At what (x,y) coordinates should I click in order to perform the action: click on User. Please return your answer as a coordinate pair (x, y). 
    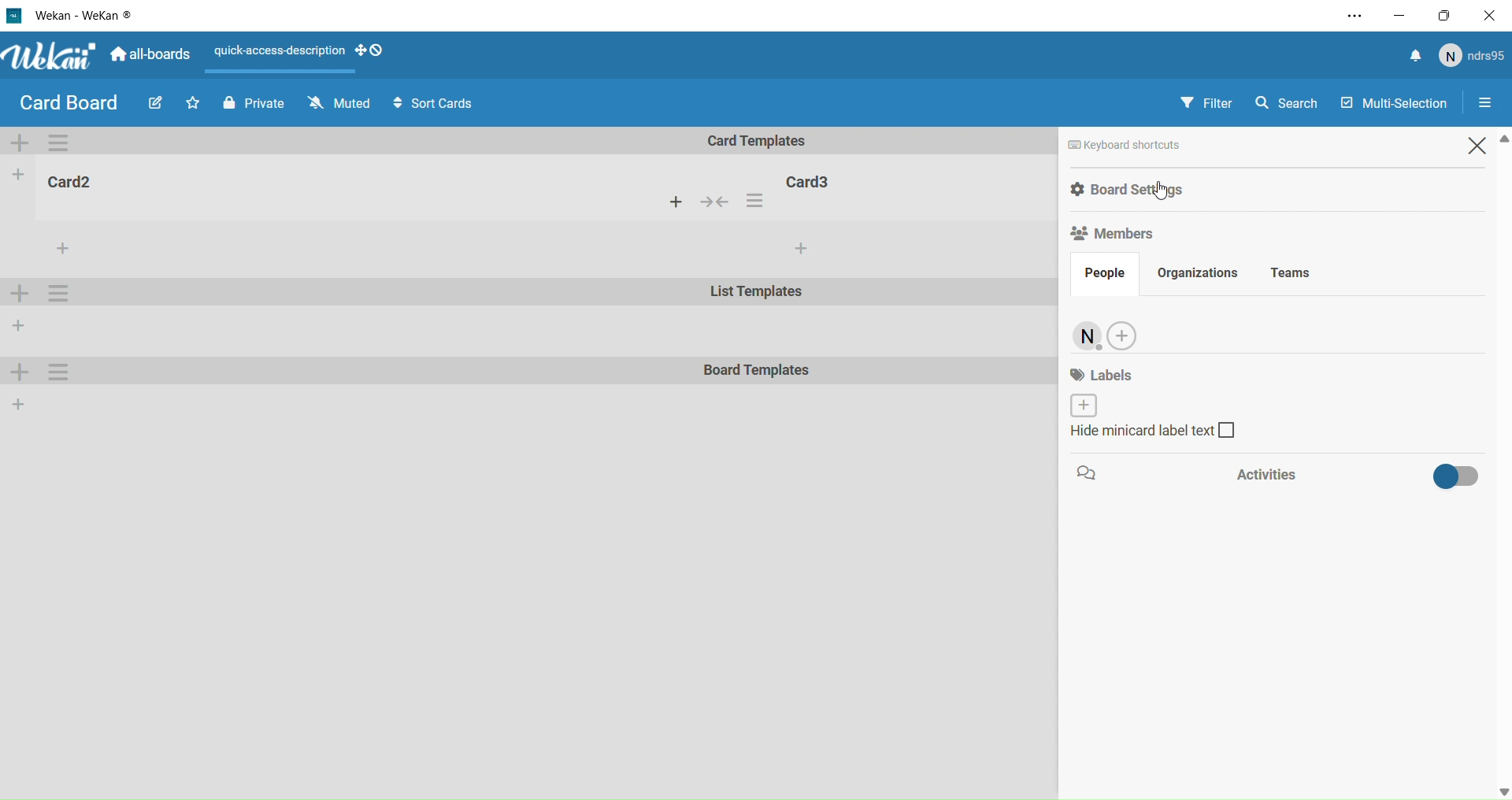
    Looking at the image, I should click on (1087, 338).